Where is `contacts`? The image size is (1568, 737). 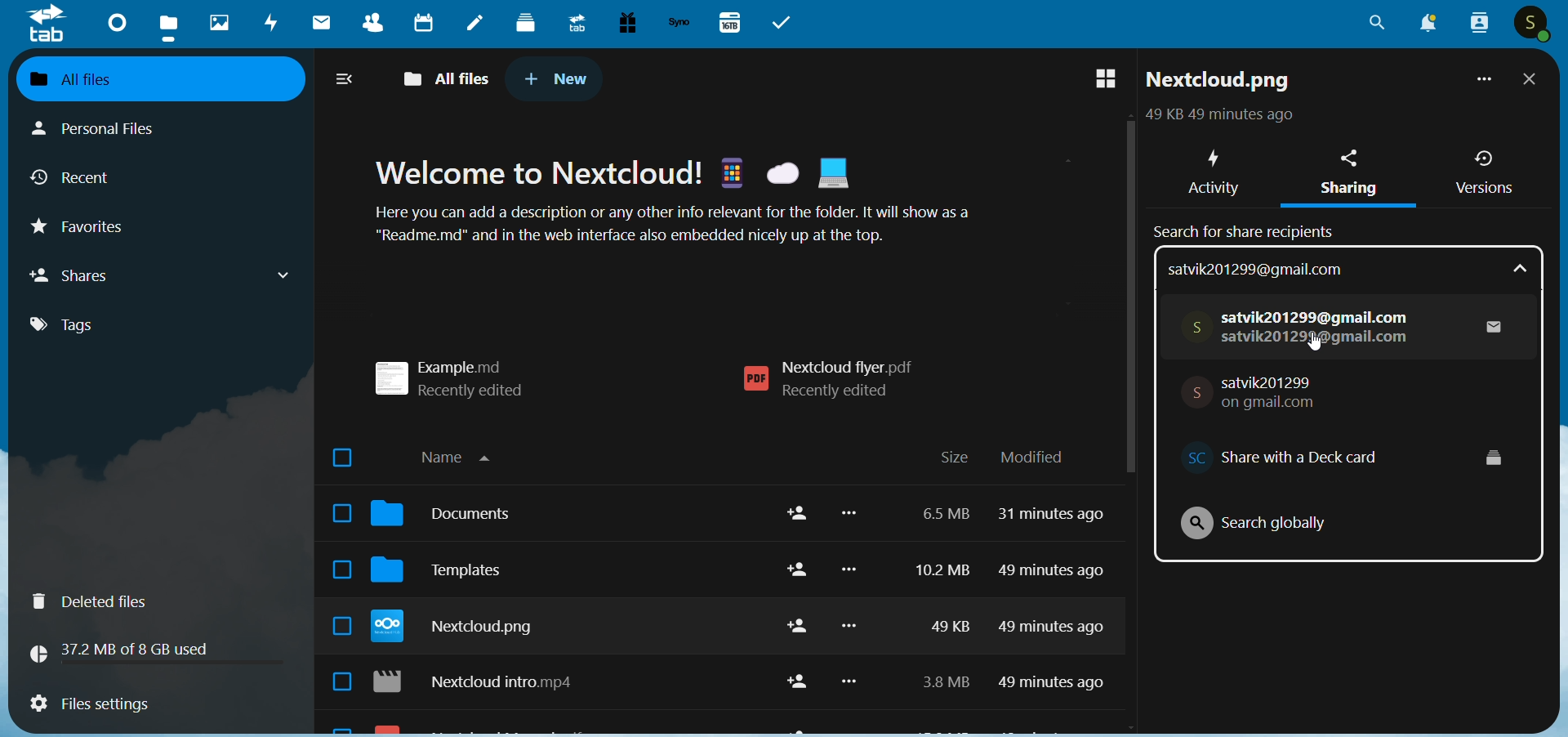
contacts is located at coordinates (367, 25).